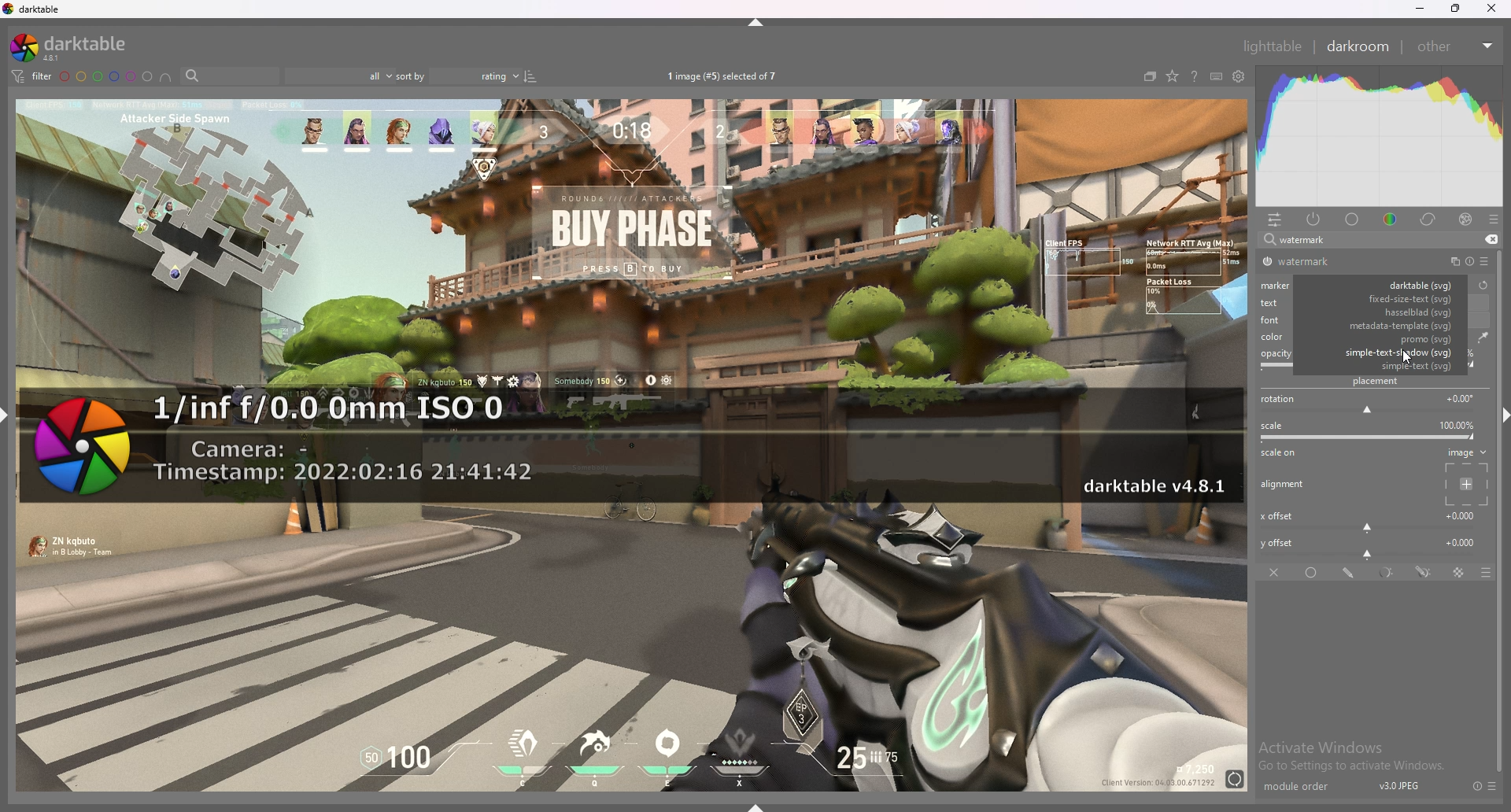  I want to click on scale on, so click(1283, 454).